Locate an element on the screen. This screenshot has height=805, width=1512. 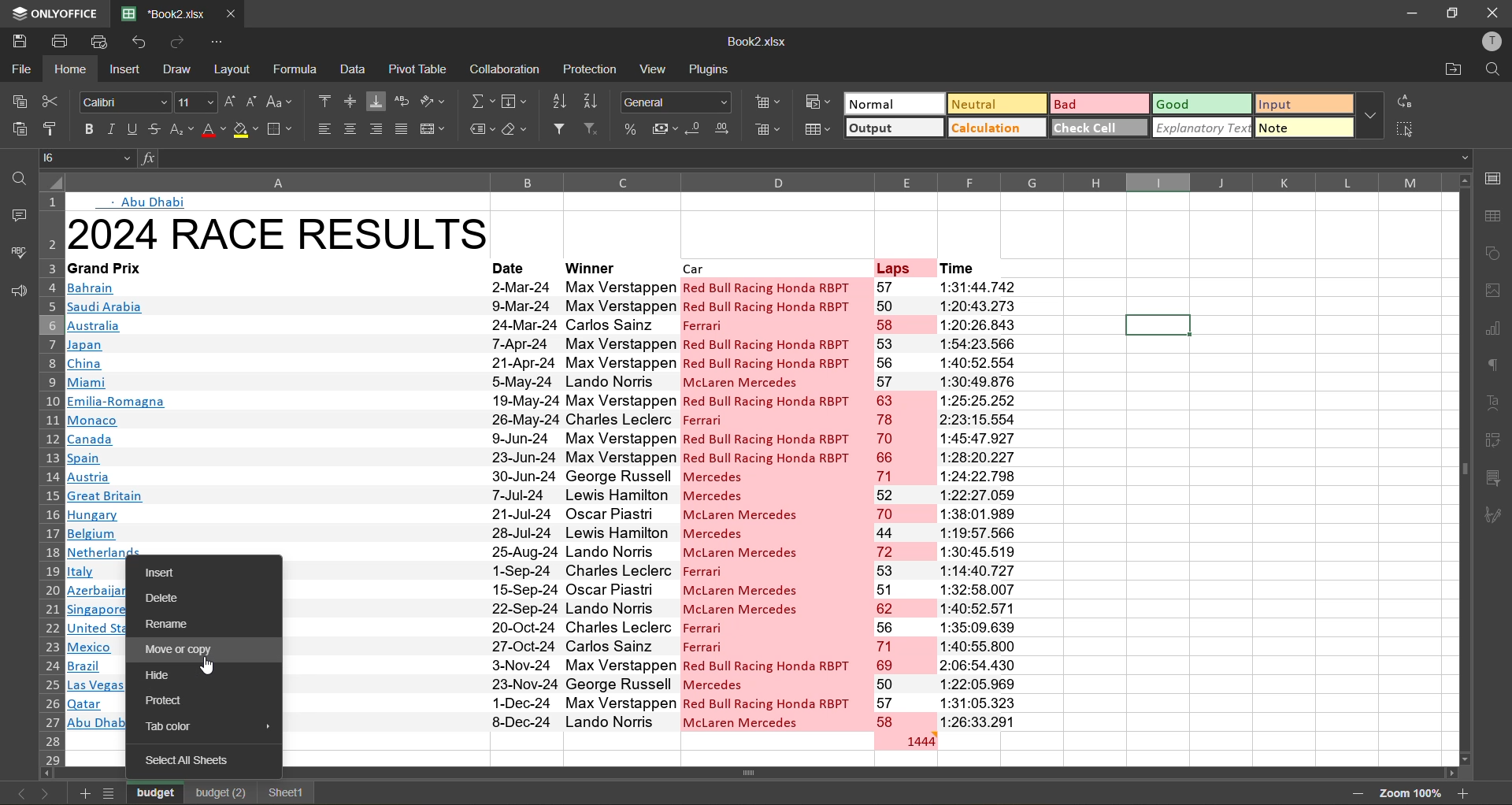
table is located at coordinates (1497, 216).